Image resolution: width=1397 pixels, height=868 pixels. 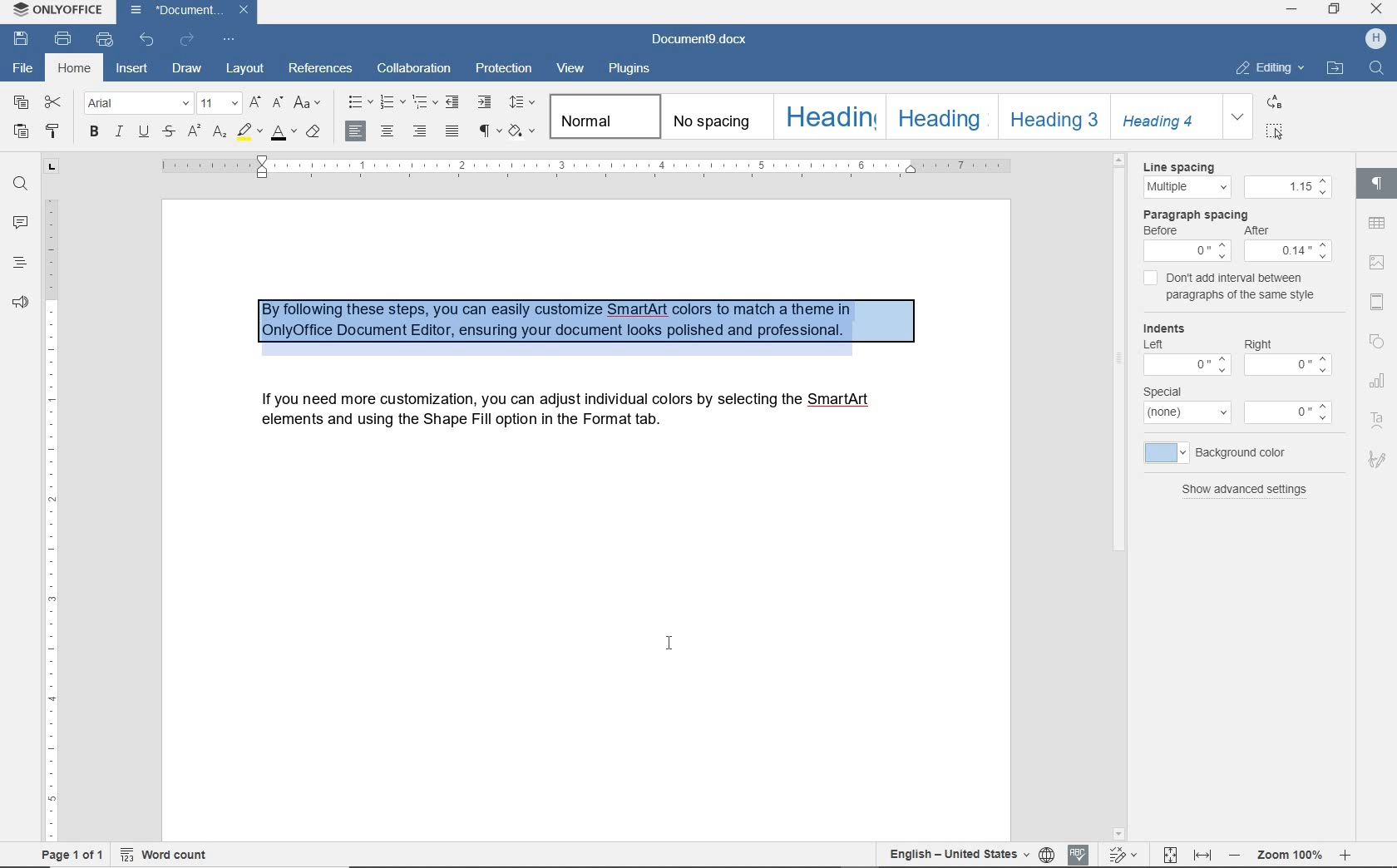 What do you see at coordinates (1197, 215) in the screenshot?
I see `PARAGRAPH SPACING` at bounding box center [1197, 215].